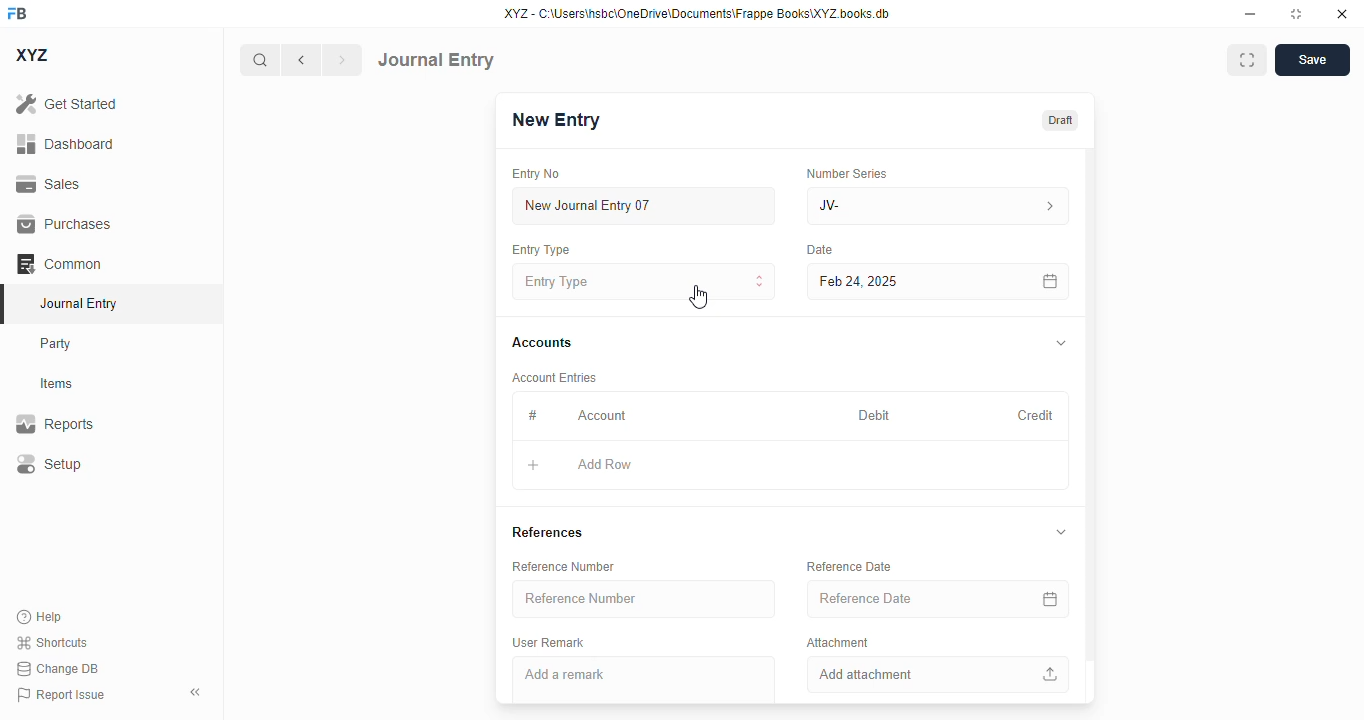 This screenshot has width=1364, height=720. What do you see at coordinates (1247, 60) in the screenshot?
I see `maximise window` at bounding box center [1247, 60].